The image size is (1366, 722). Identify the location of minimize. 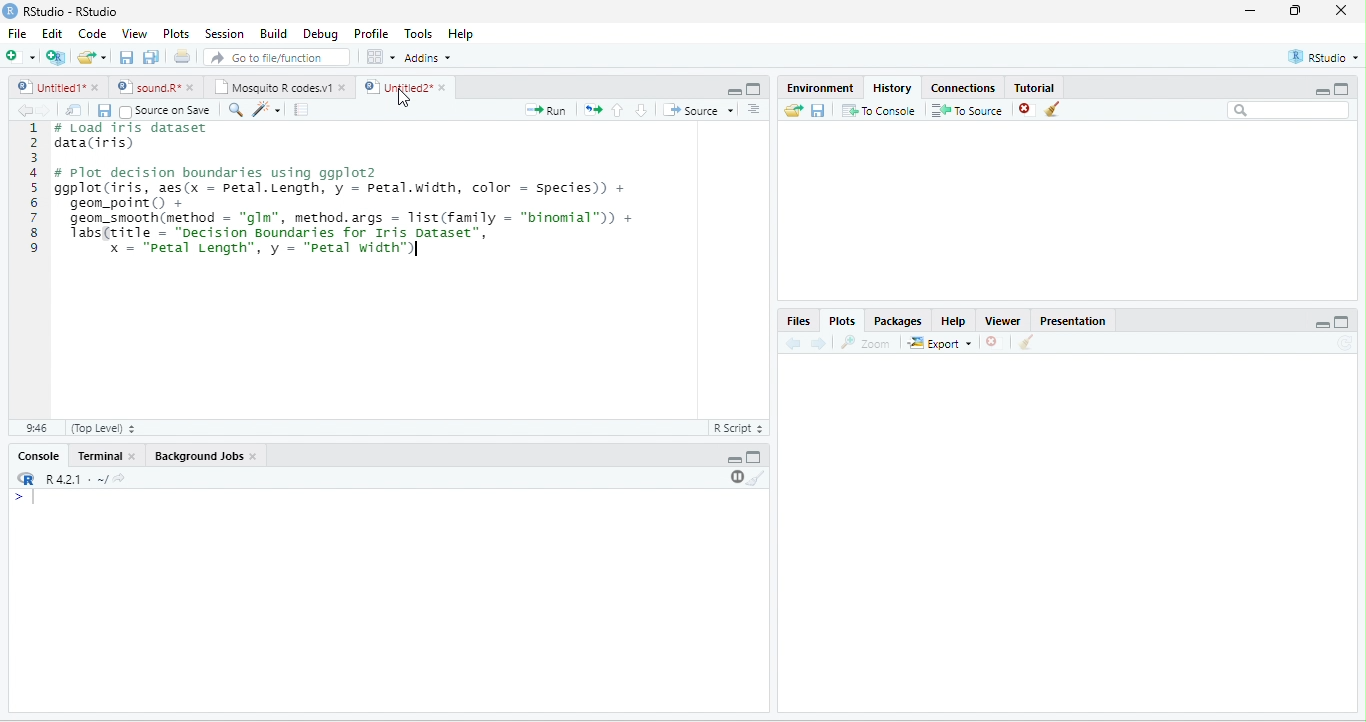
(734, 92).